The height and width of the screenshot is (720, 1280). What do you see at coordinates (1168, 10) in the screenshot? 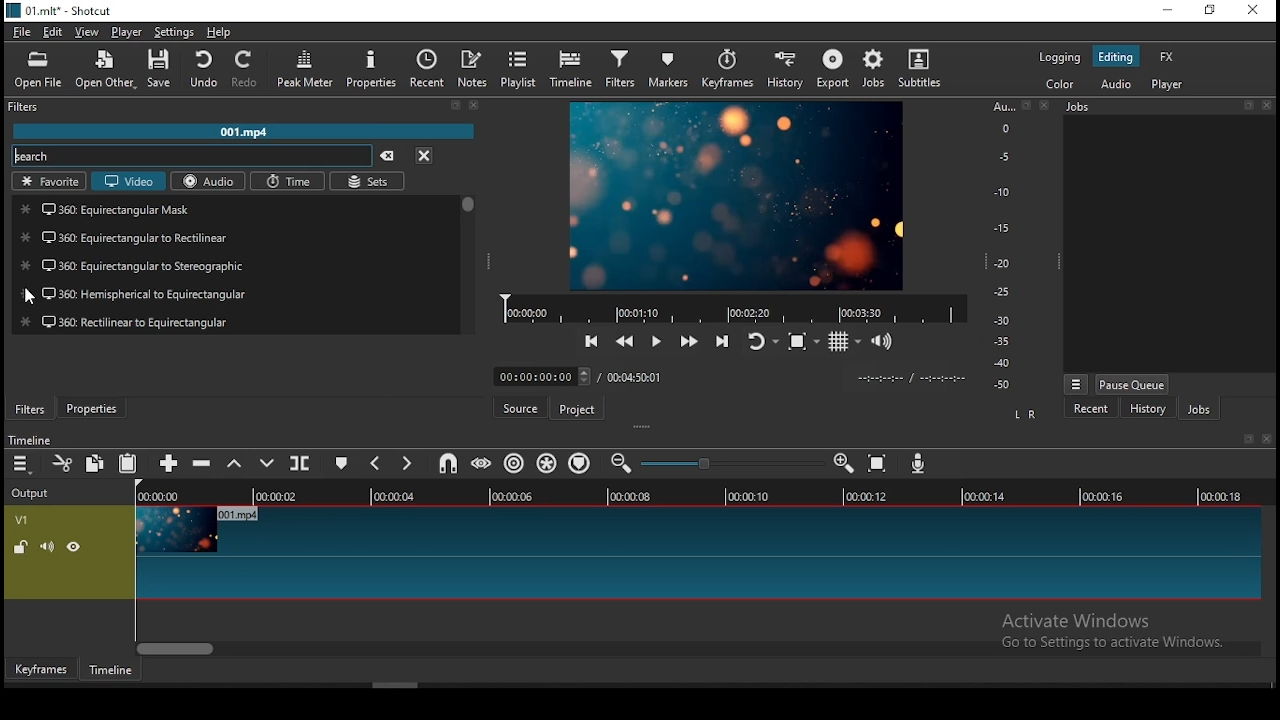
I see `minimize` at bounding box center [1168, 10].